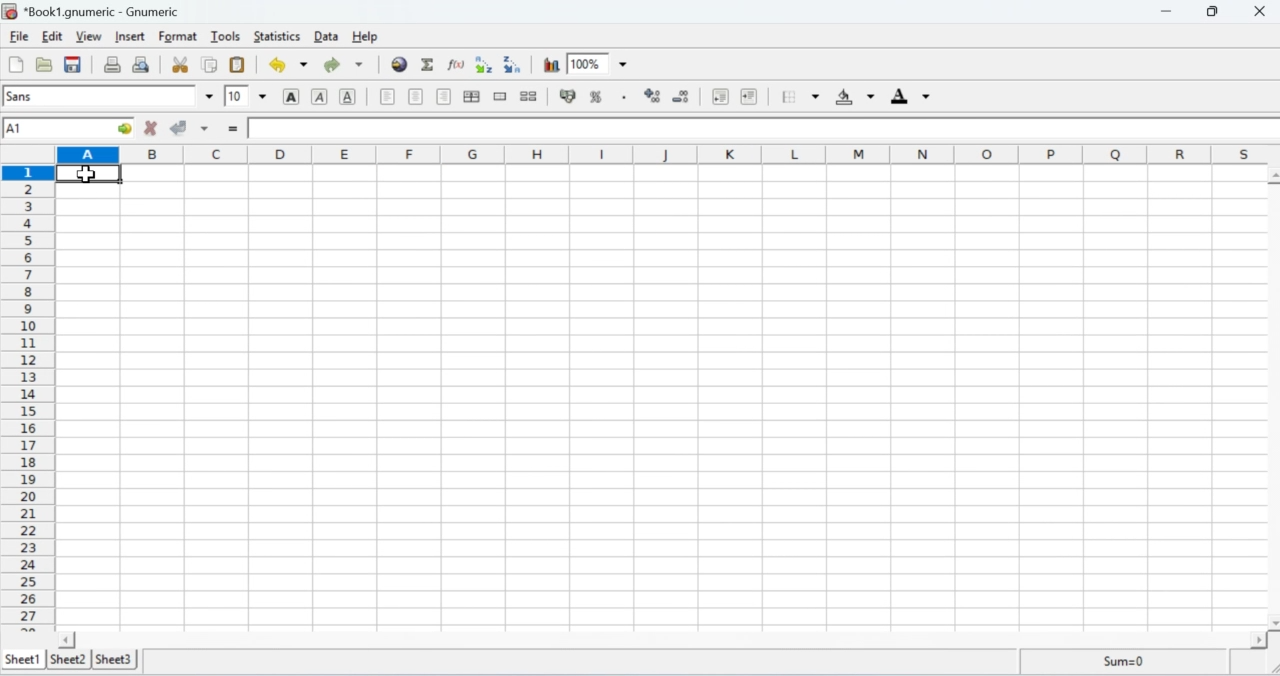 The width and height of the screenshot is (1280, 676). What do you see at coordinates (566, 98) in the screenshot?
I see `` at bounding box center [566, 98].